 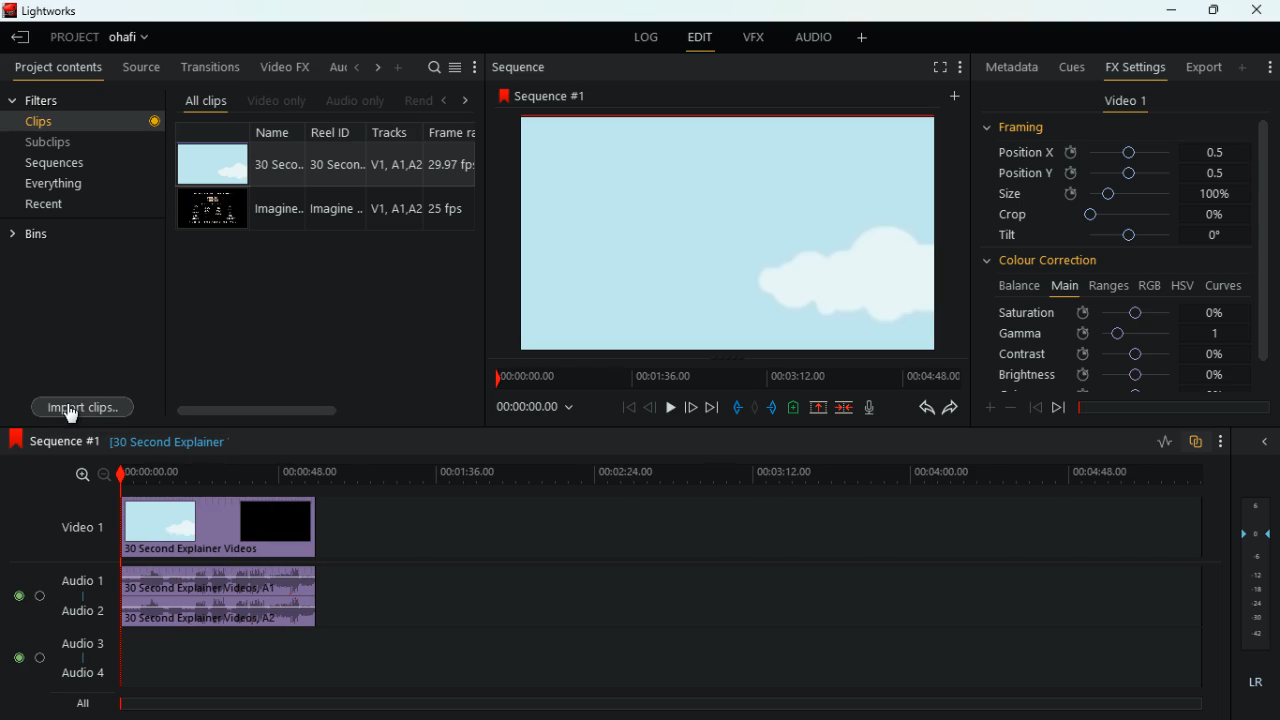 I want to click on position y, so click(x=1115, y=173).